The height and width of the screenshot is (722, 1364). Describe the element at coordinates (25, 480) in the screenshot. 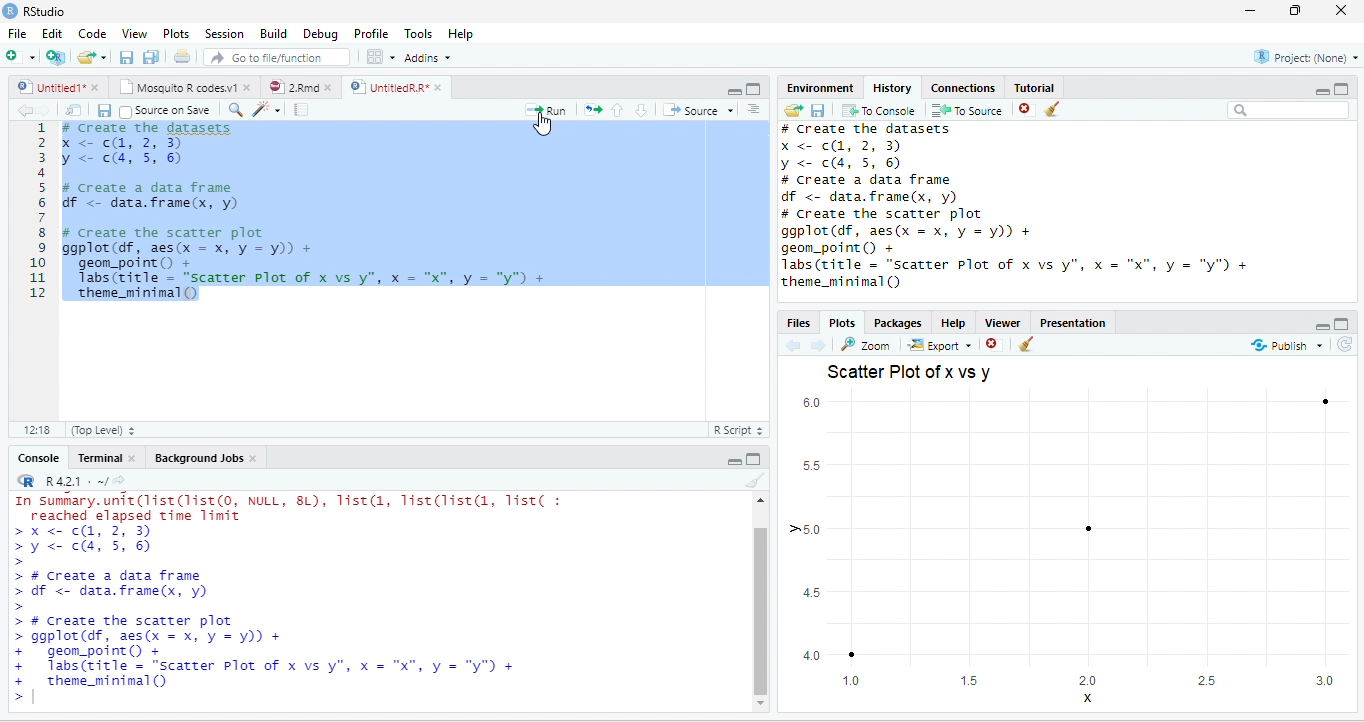

I see `R` at that location.